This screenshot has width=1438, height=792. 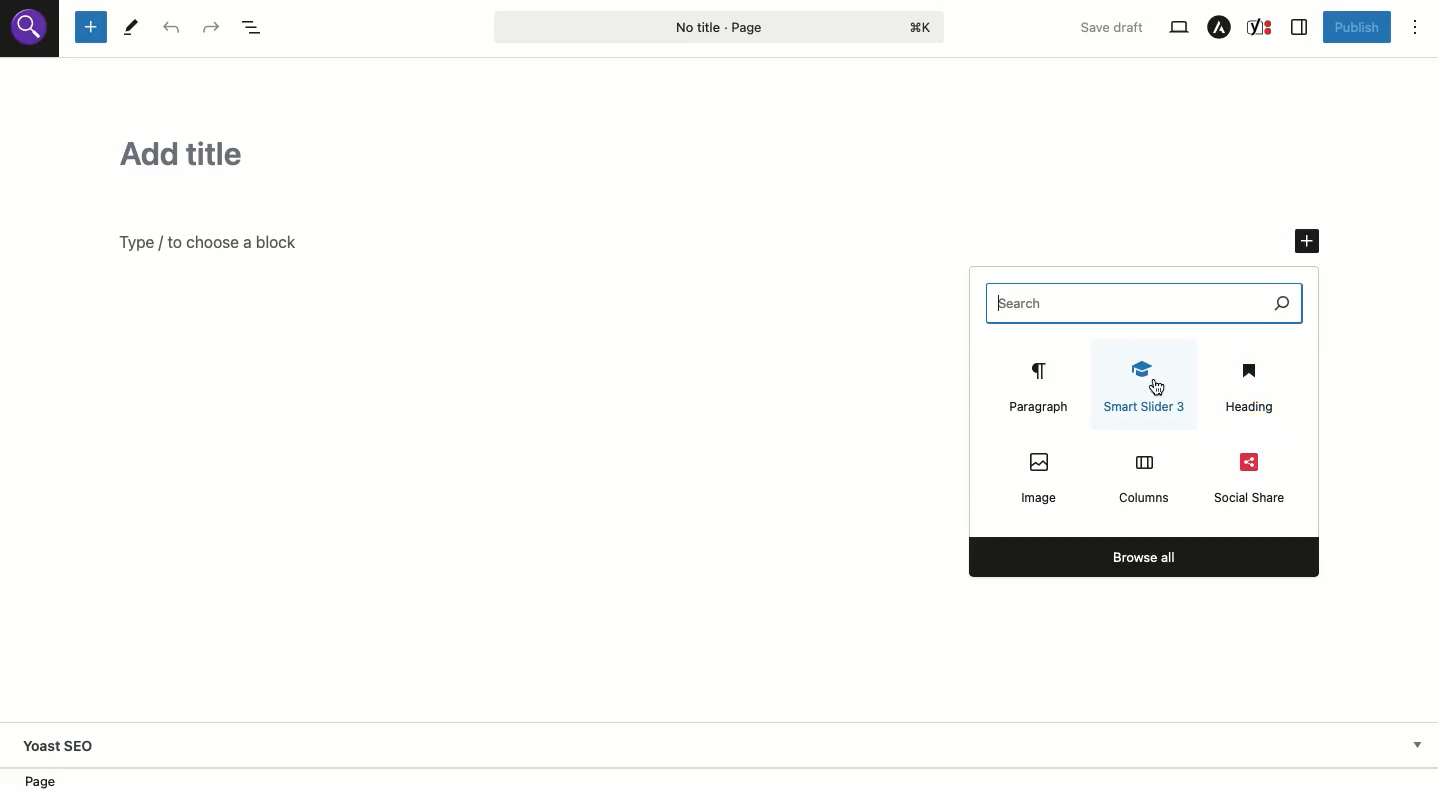 I want to click on Image, so click(x=1041, y=477).